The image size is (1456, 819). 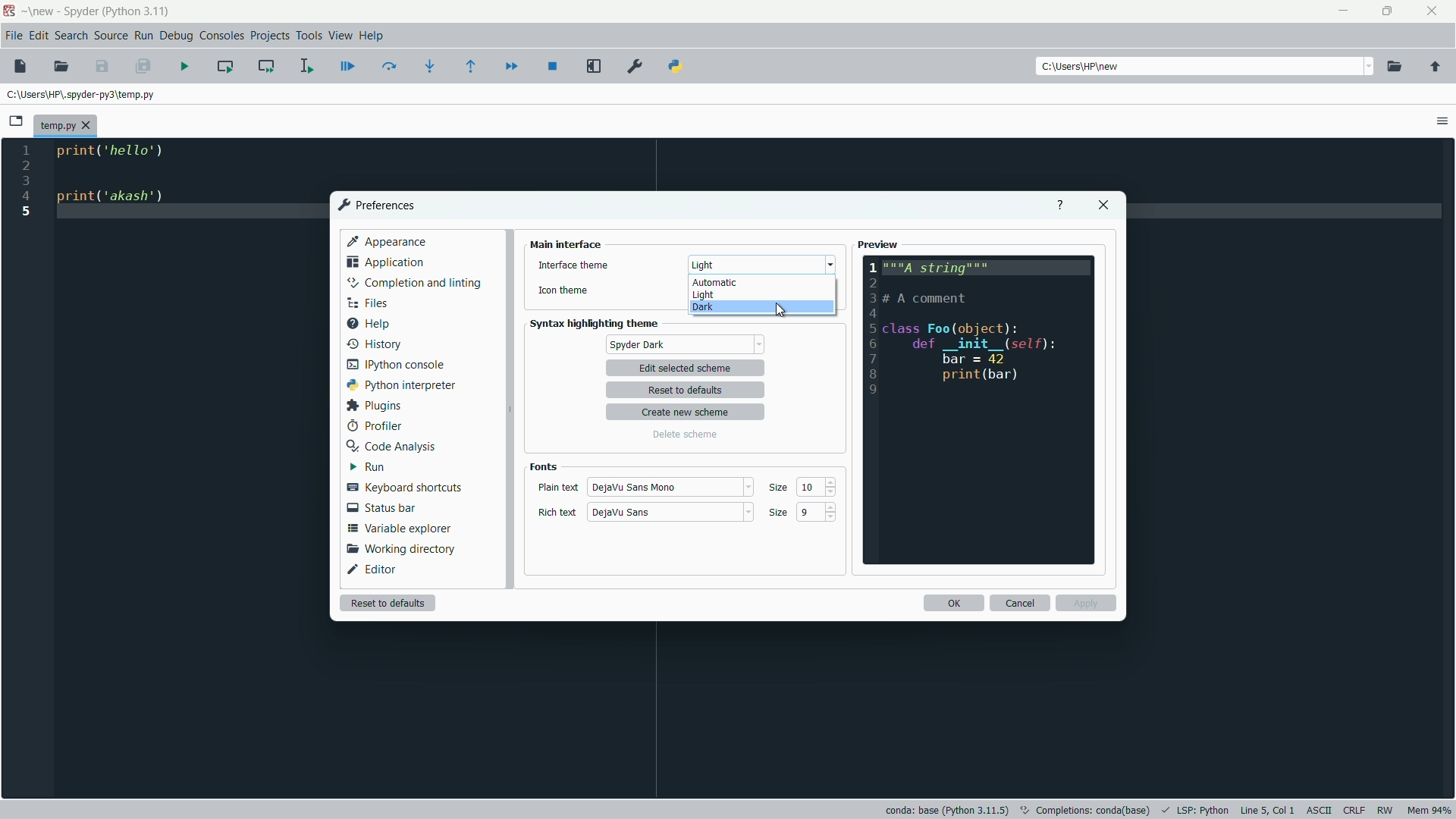 I want to click on directory, so click(x=1084, y=67).